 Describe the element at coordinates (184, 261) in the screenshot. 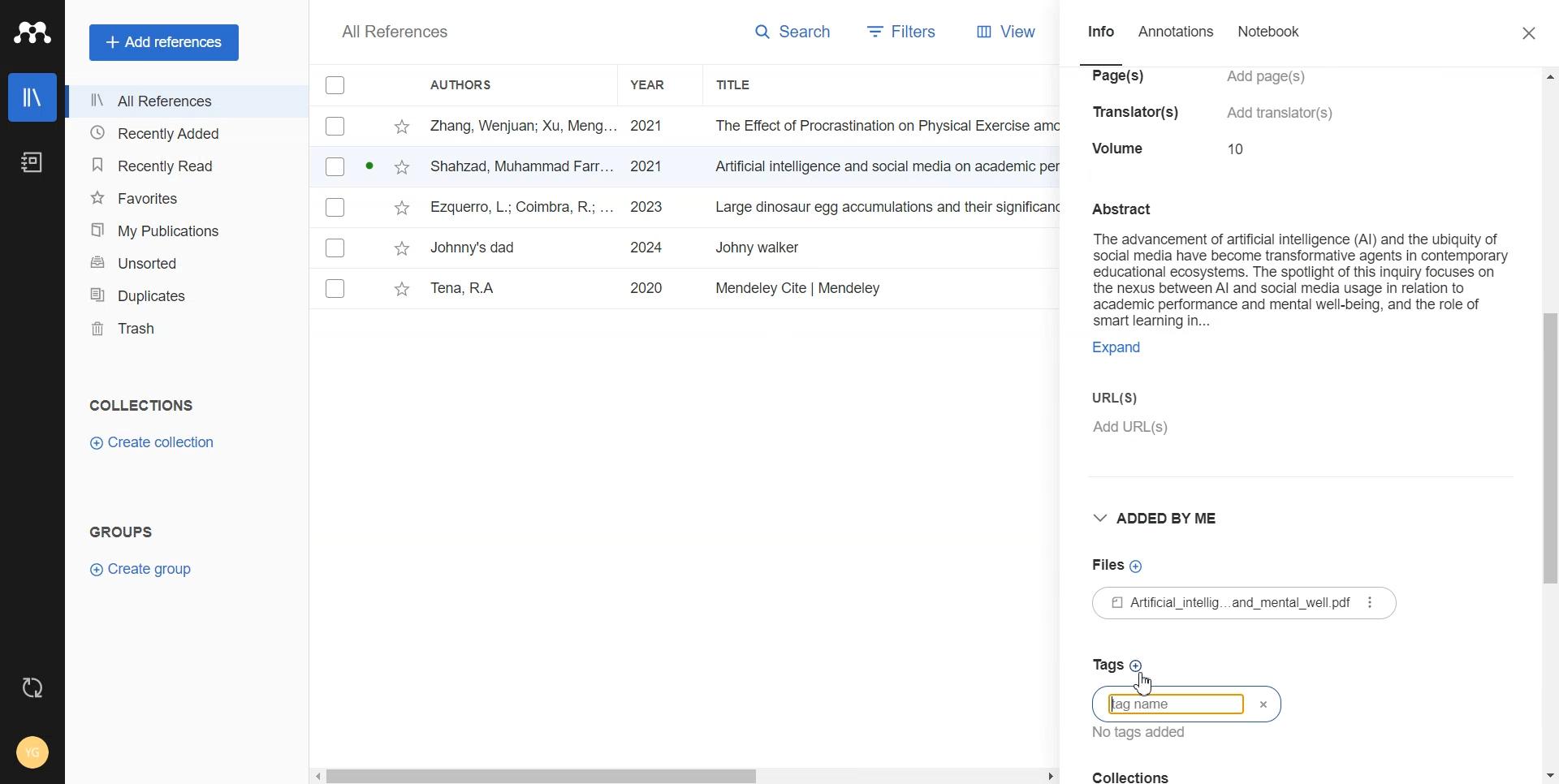

I see `Unsorted` at that location.